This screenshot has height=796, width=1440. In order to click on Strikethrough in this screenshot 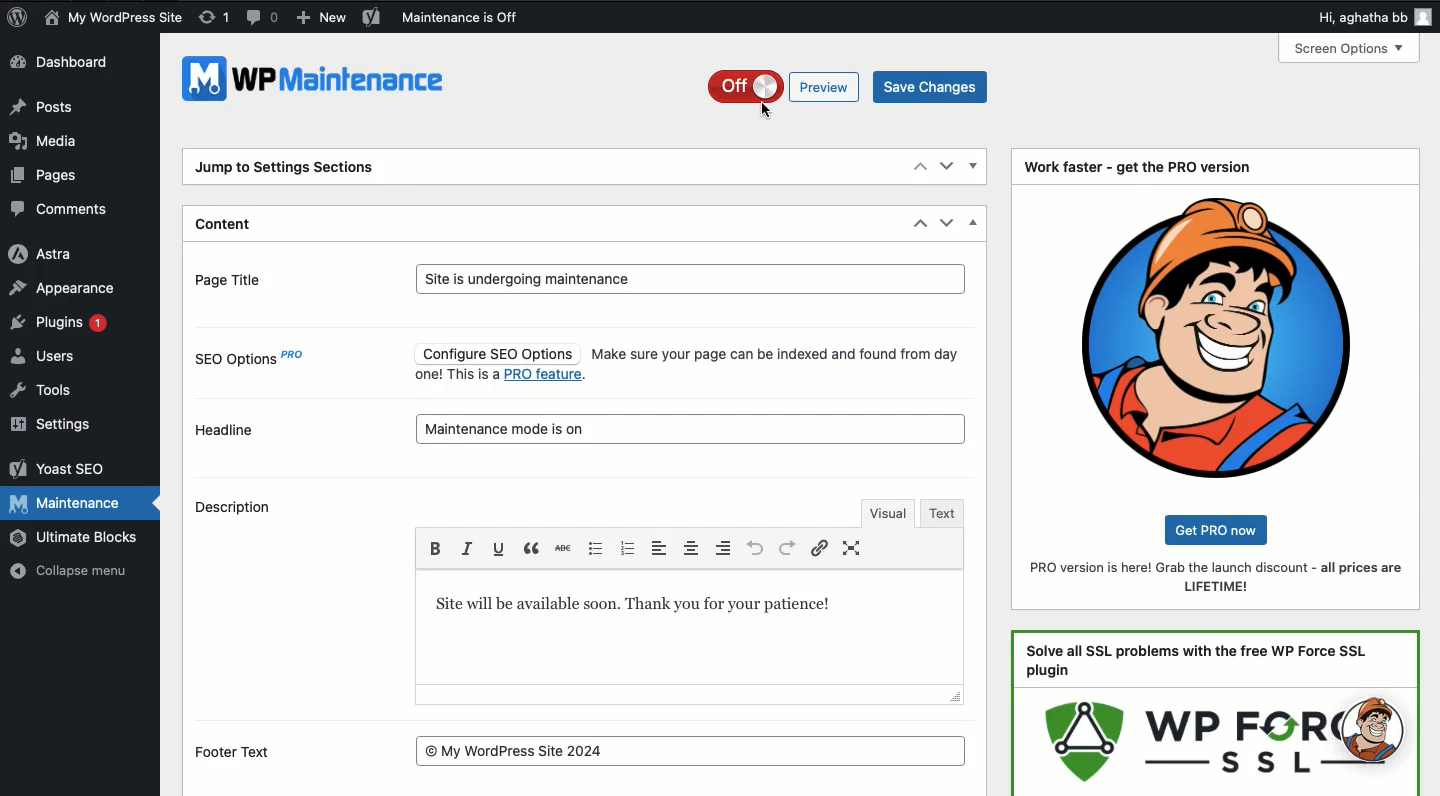, I will do `click(562, 549)`.